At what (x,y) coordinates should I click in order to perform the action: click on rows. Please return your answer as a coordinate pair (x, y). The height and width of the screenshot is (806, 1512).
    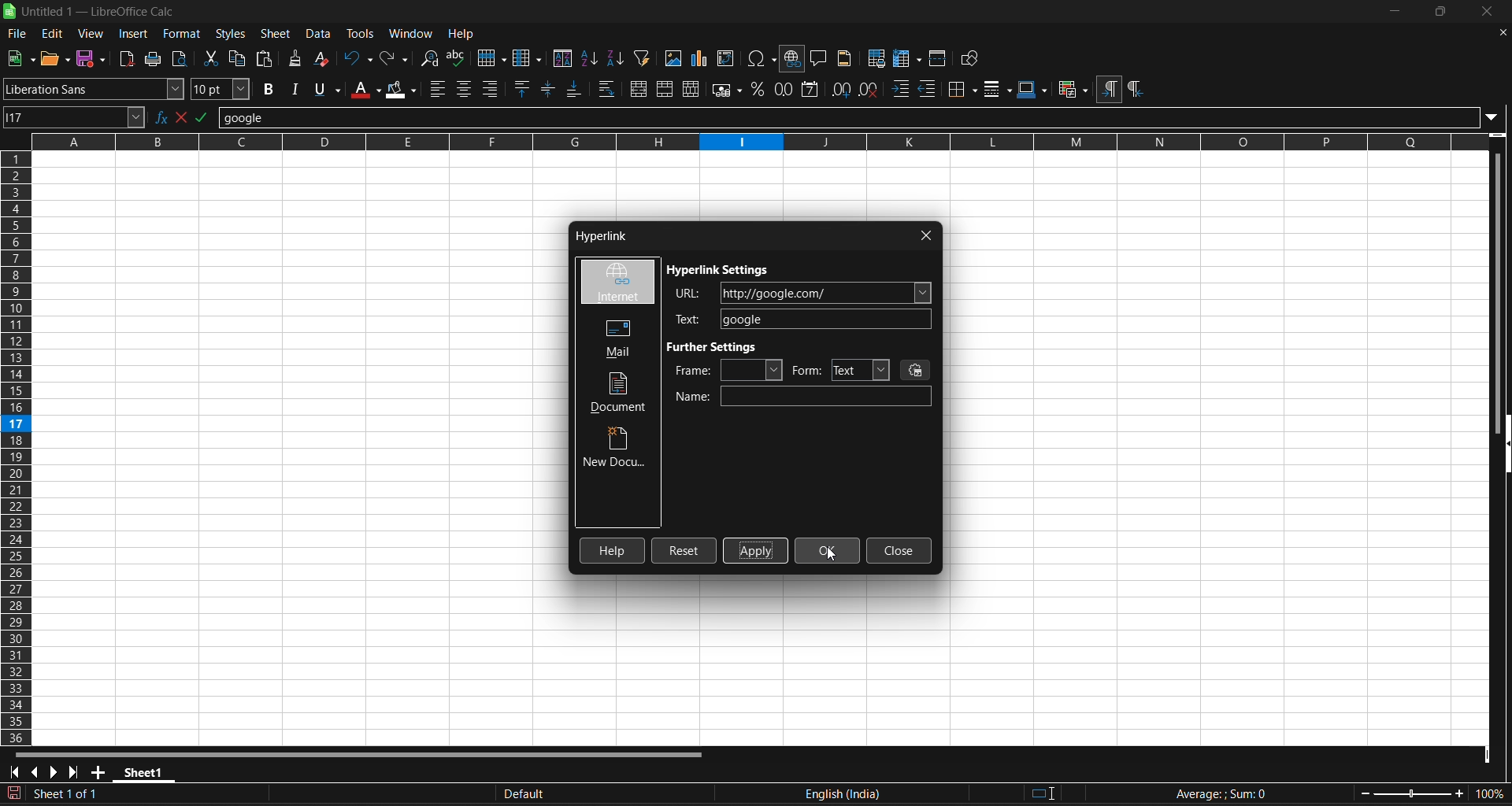
    Looking at the image, I should click on (749, 147).